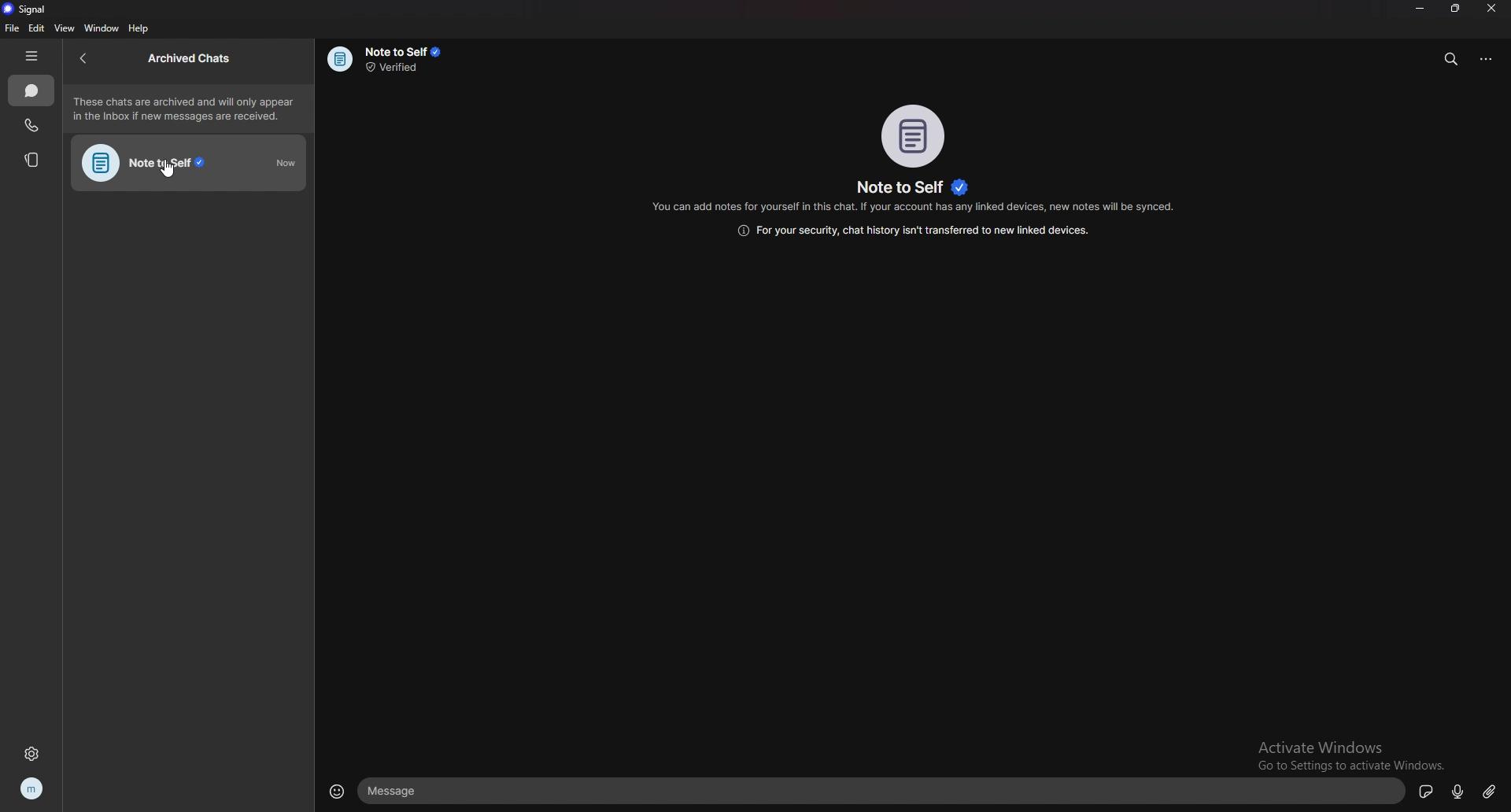  Describe the element at coordinates (31, 56) in the screenshot. I see `hide tab` at that location.